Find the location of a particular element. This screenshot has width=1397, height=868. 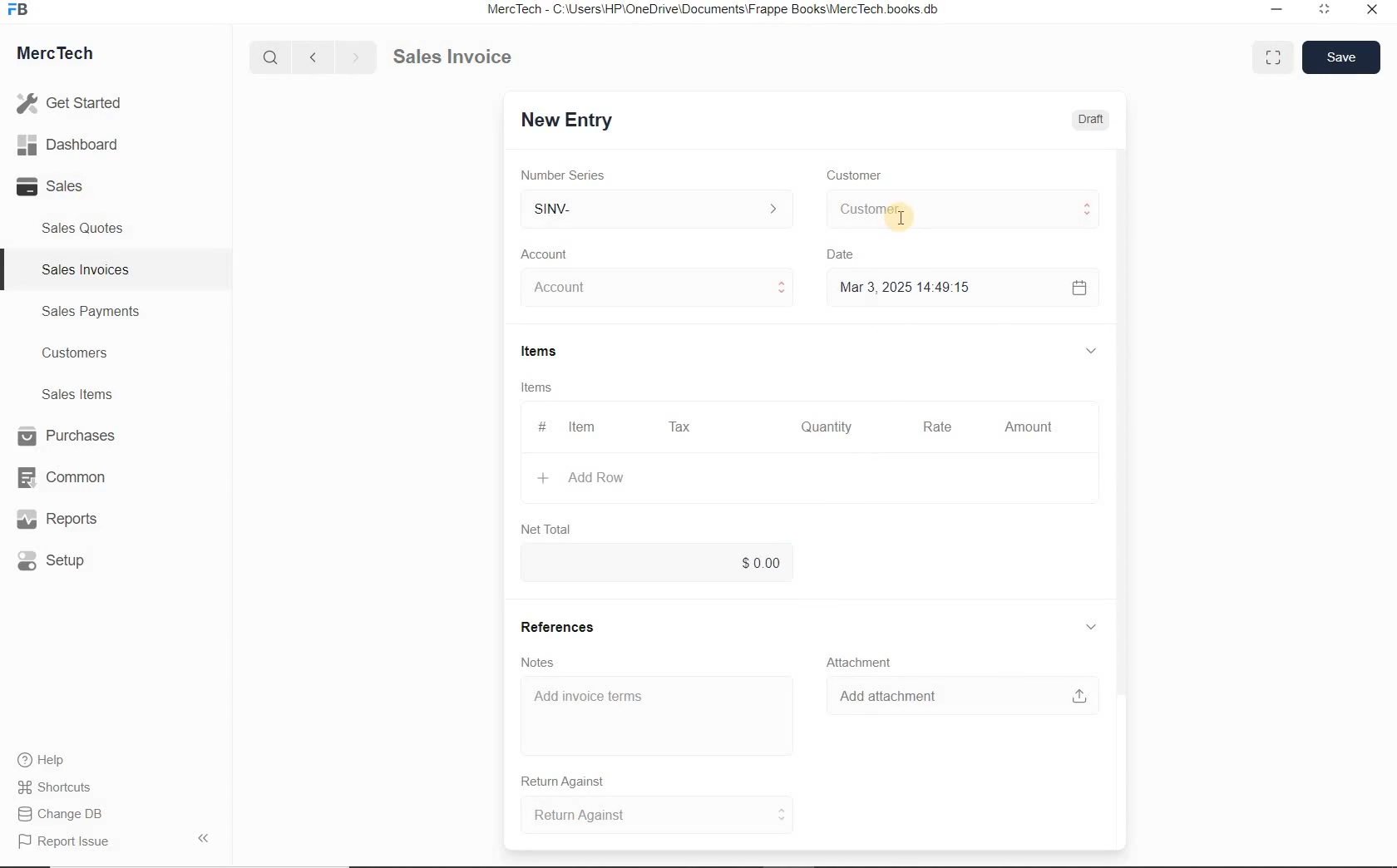

Dashboard is located at coordinates (76, 145).